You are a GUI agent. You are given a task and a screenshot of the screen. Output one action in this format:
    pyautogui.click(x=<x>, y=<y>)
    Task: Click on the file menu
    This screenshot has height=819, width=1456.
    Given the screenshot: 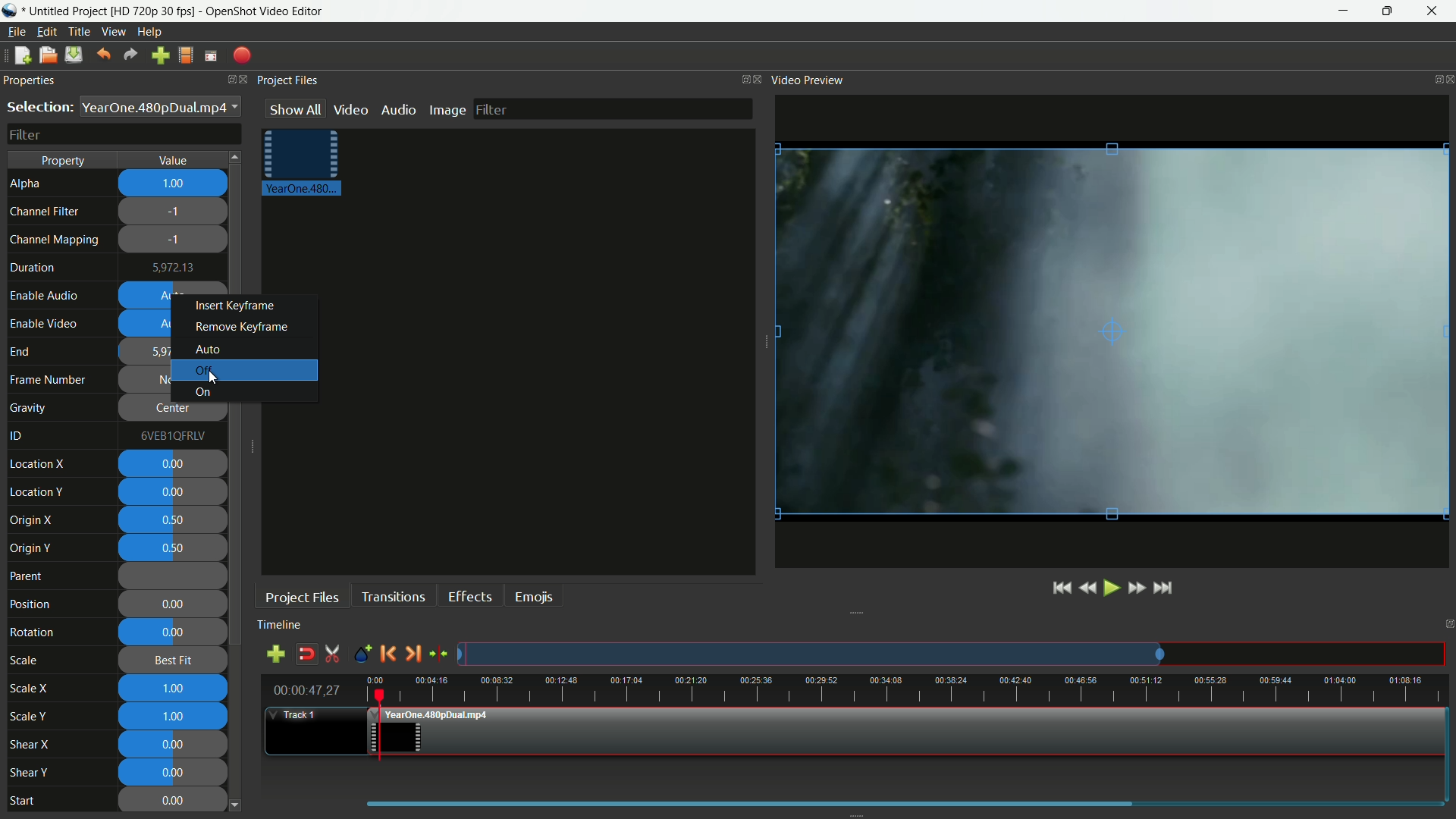 What is the action you would take?
    pyautogui.click(x=17, y=31)
    